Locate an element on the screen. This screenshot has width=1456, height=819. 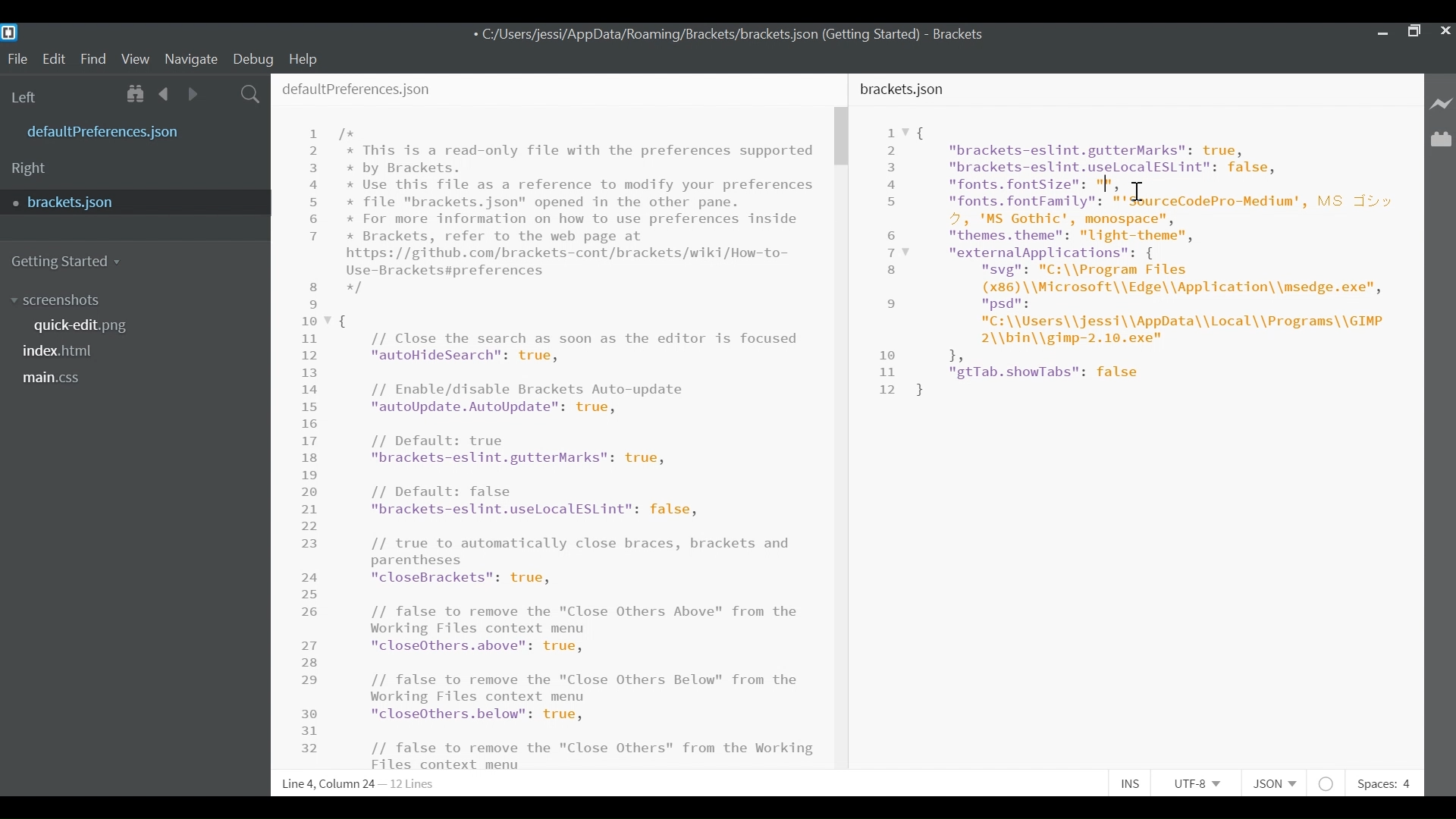
main.css is located at coordinates (58, 379).